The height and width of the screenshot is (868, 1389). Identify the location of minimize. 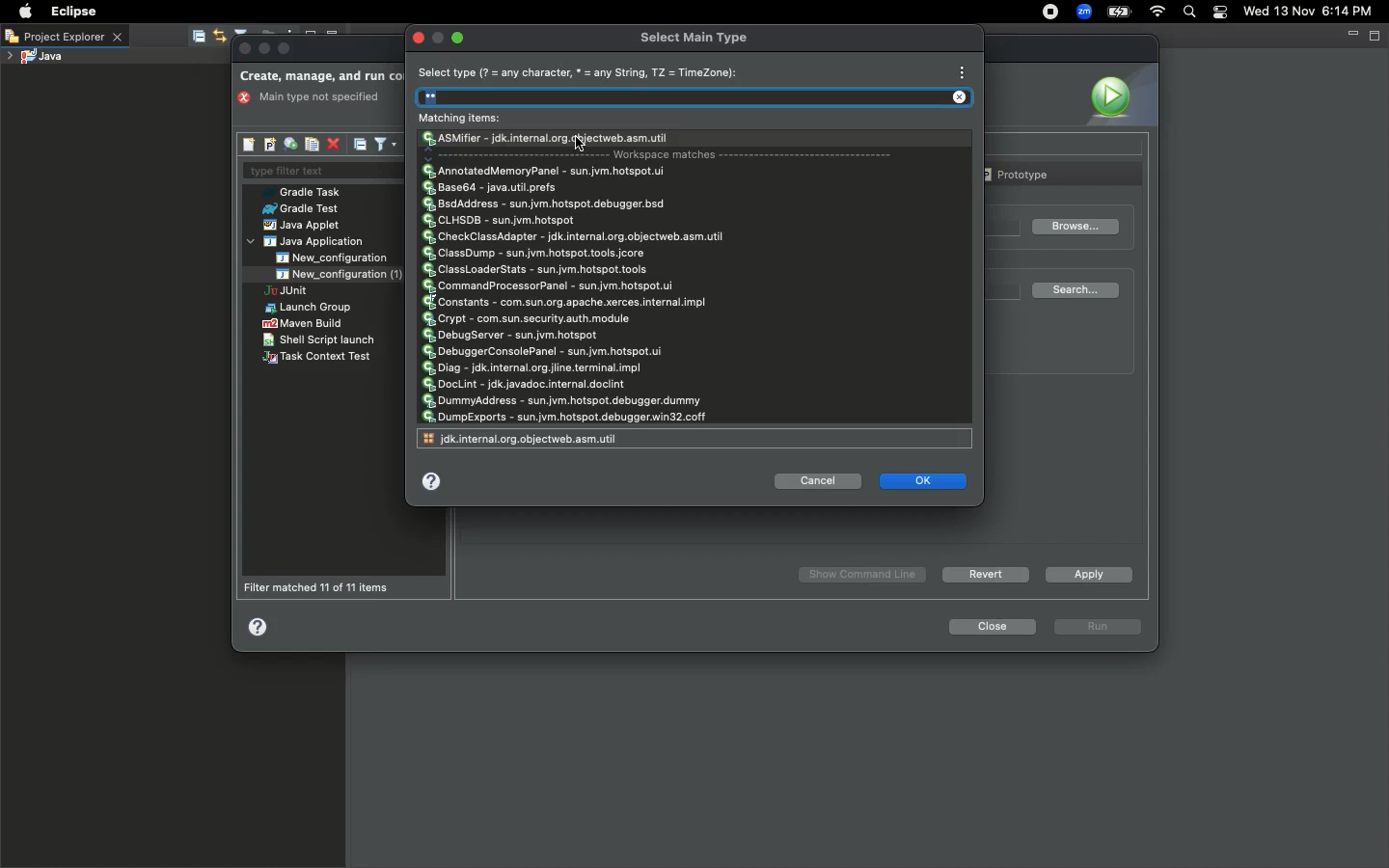
(440, 38).